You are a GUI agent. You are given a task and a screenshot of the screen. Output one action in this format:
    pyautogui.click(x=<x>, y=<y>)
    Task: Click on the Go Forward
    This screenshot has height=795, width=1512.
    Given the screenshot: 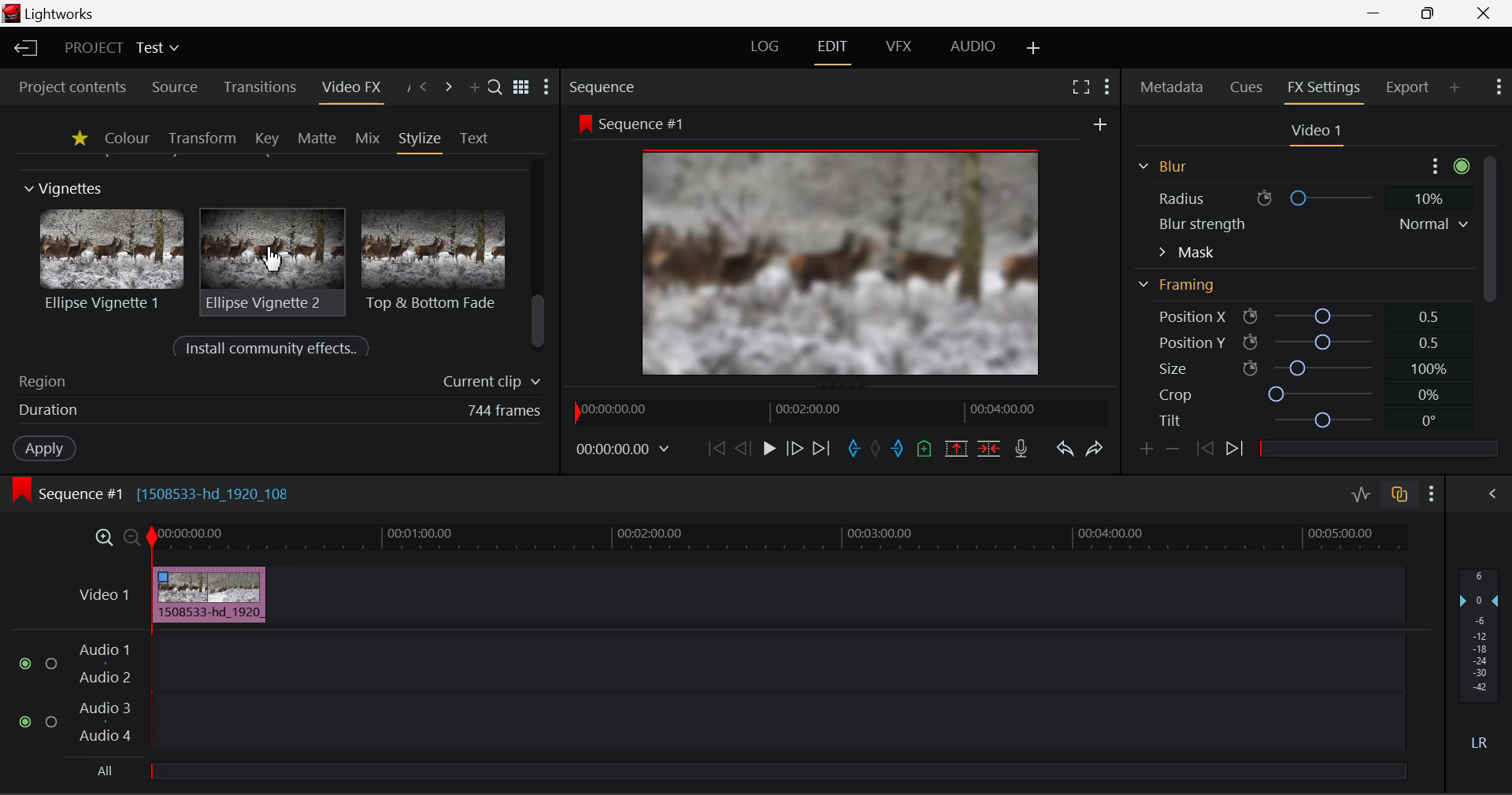 What is the action you would take?
    pyautogui.click(x=795, y=449)
    